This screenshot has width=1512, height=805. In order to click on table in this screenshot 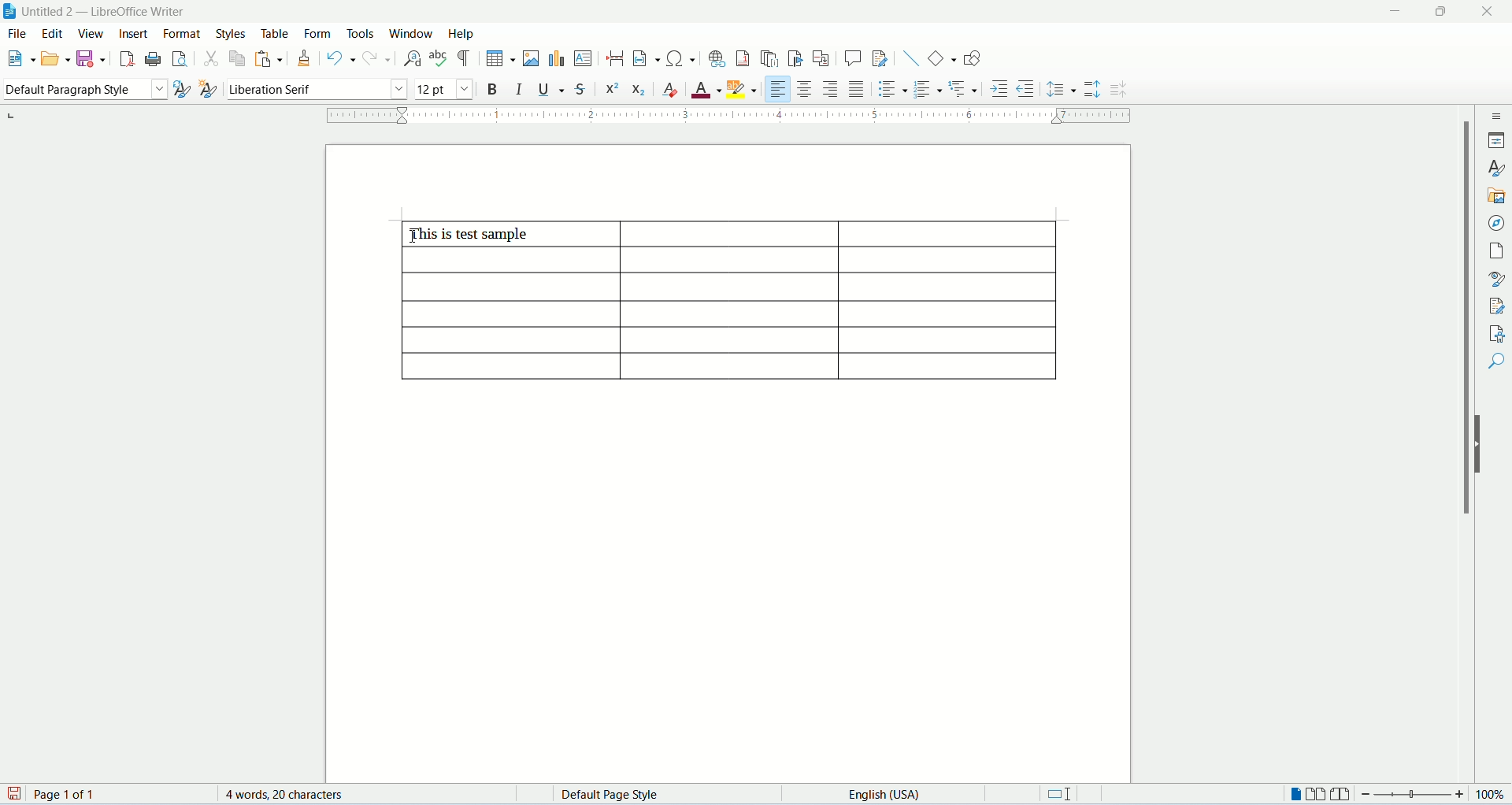, I will do `click(729, 317)`.